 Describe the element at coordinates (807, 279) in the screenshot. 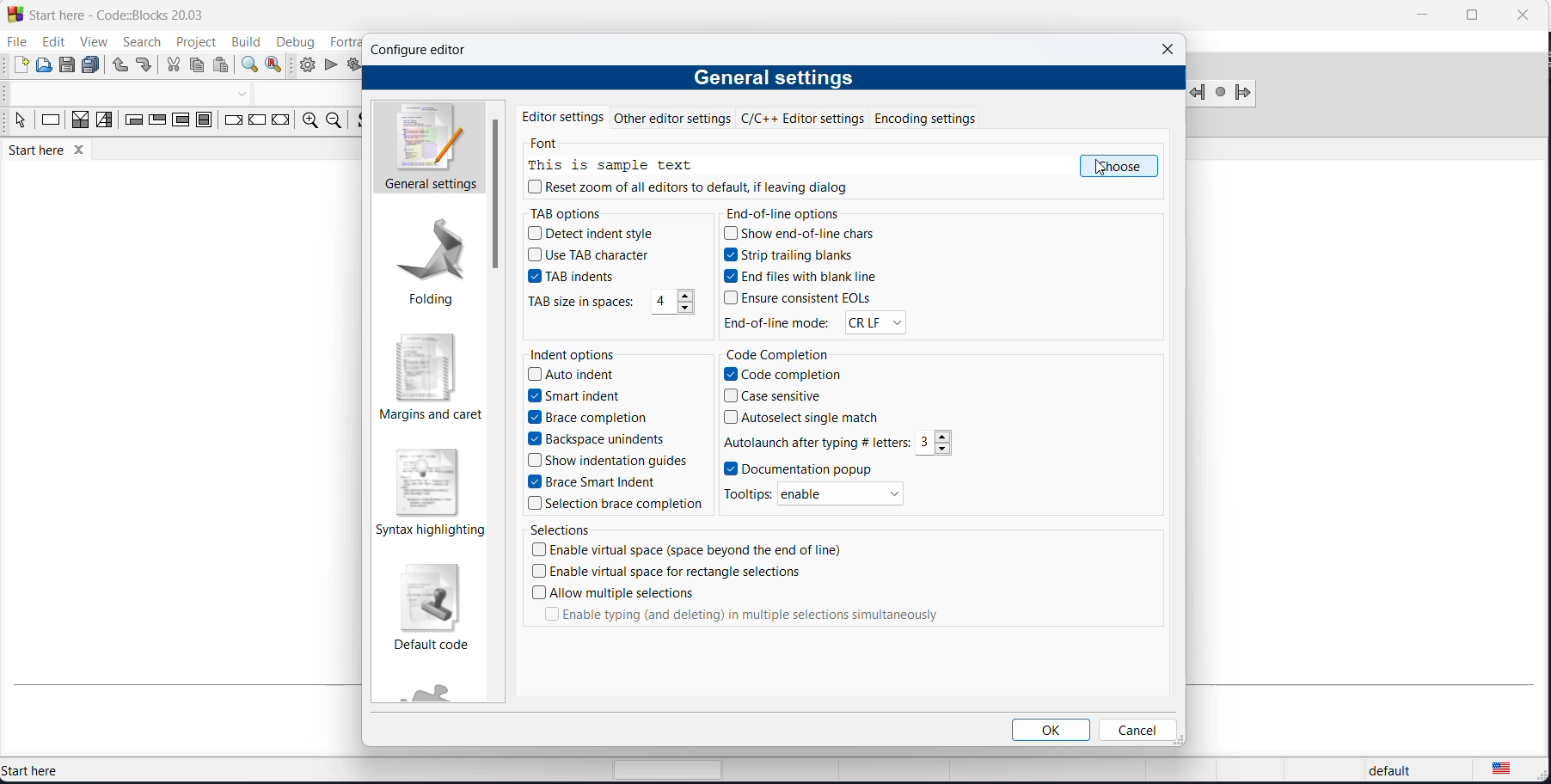

I see `end file with blank line checkbox` at that location.